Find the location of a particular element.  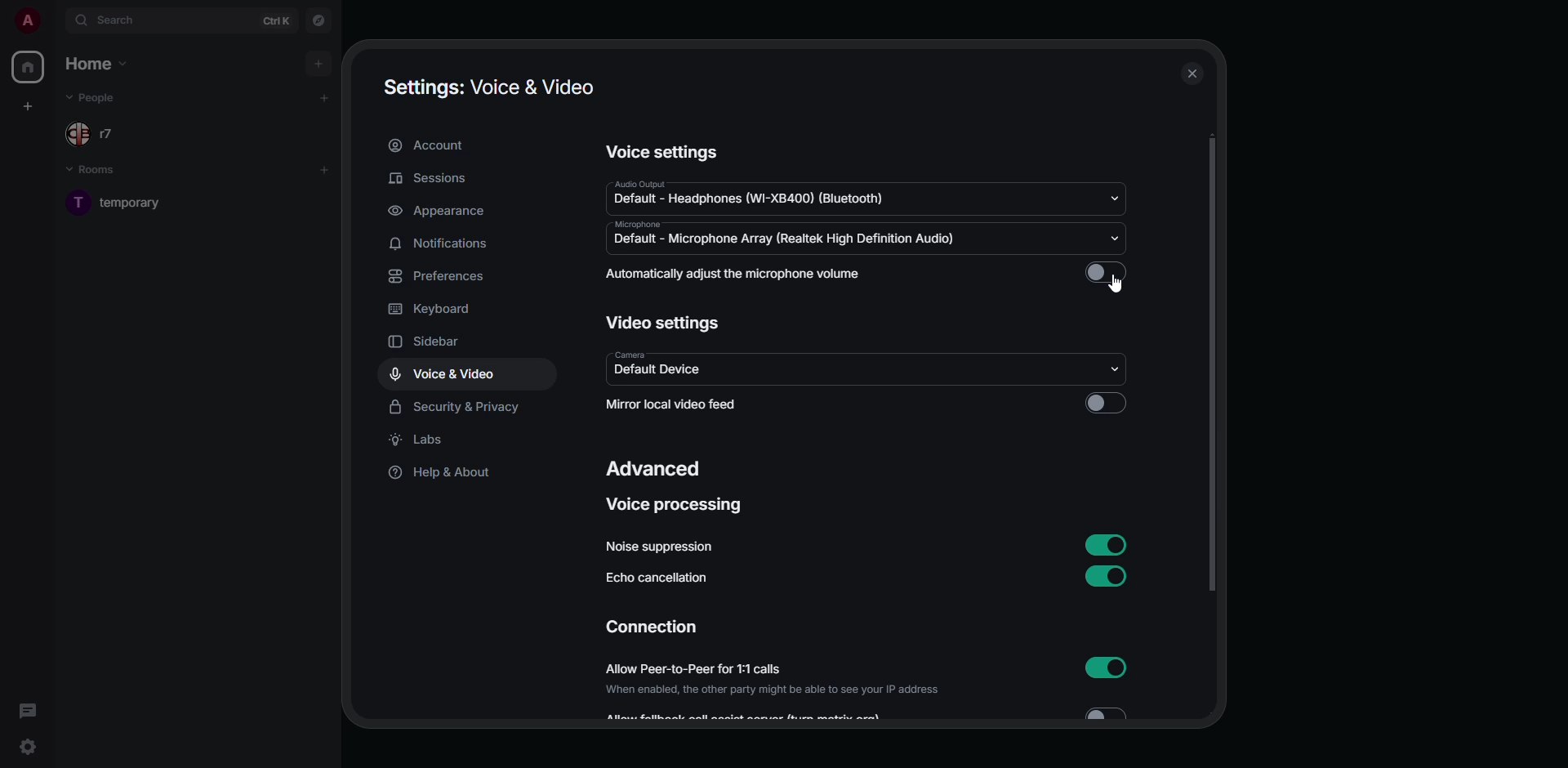

people is located at coordinates (99, 132).